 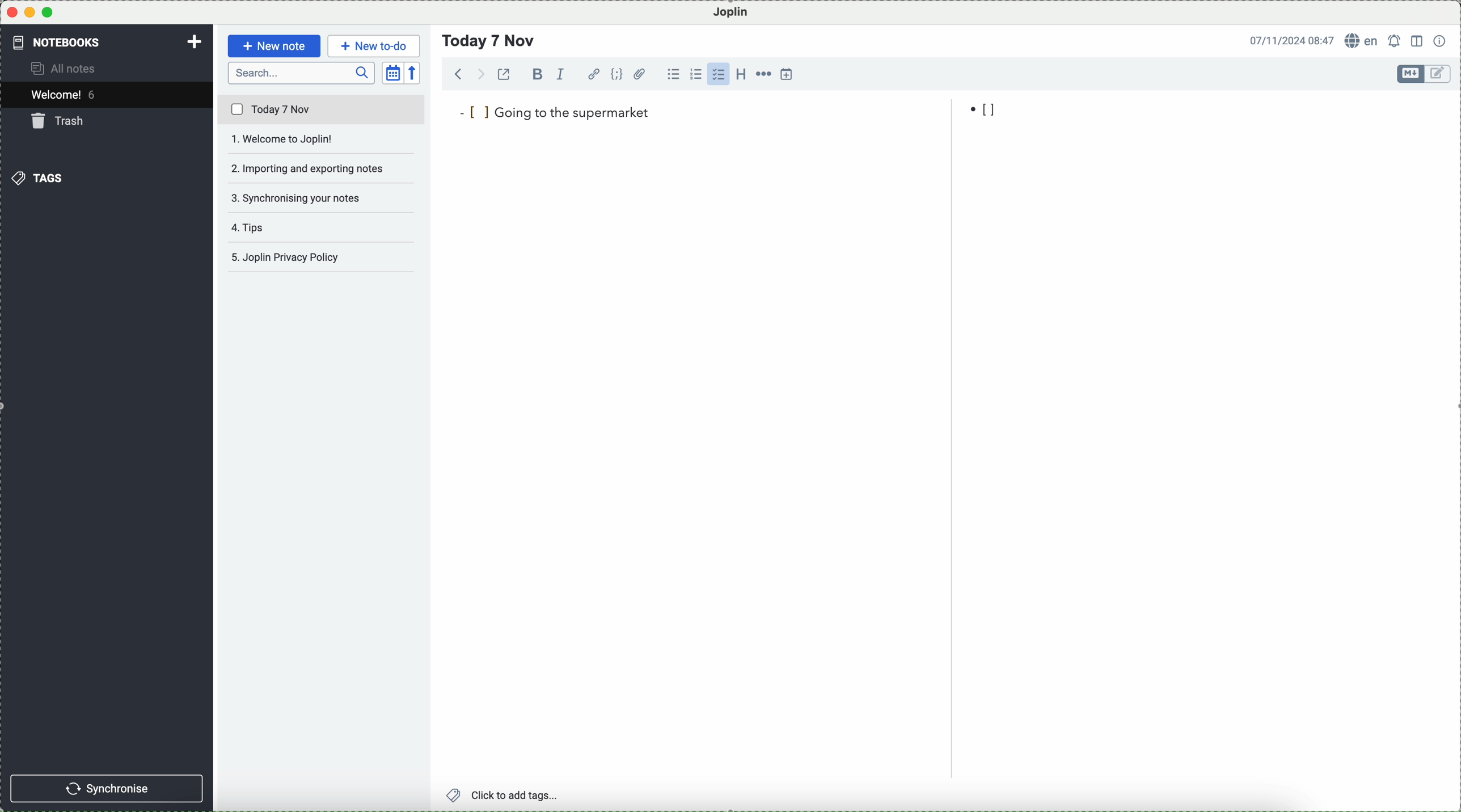 I want to click on add new notebook, so click(x=195, y=43).